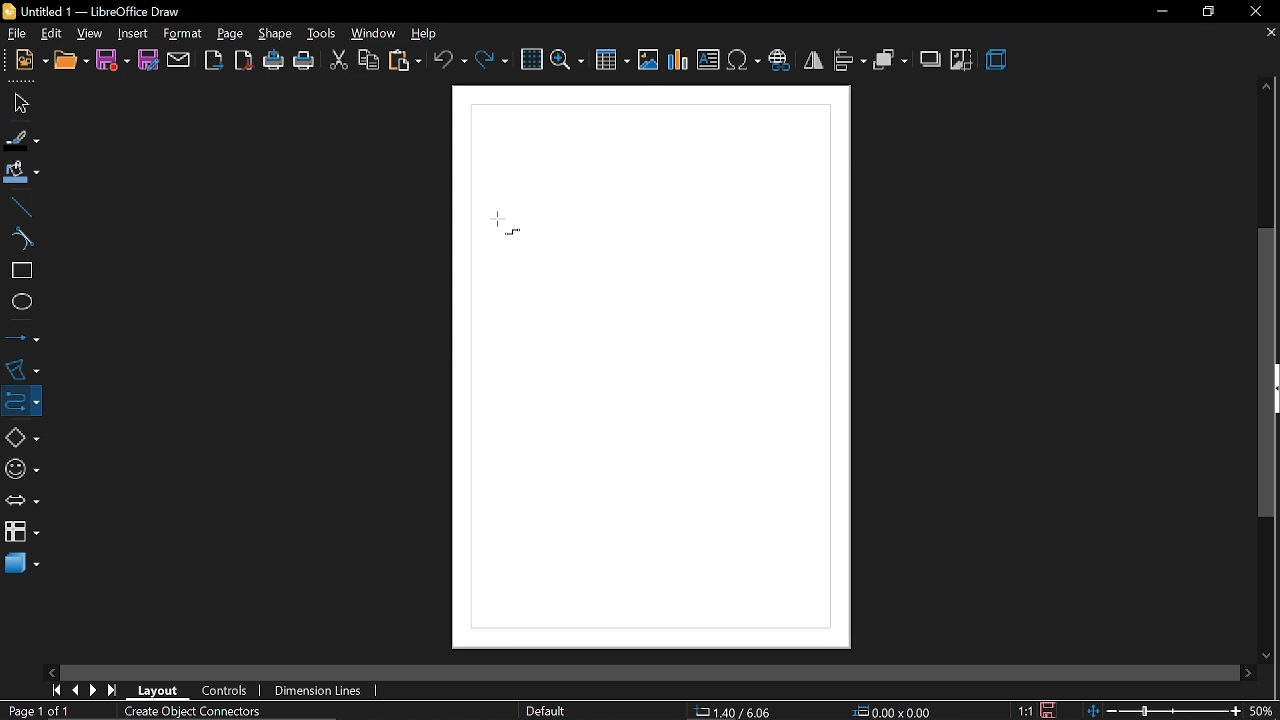 This screenshot has width=1280, height=720. I want to click on zoom change, so click(1166, 712).